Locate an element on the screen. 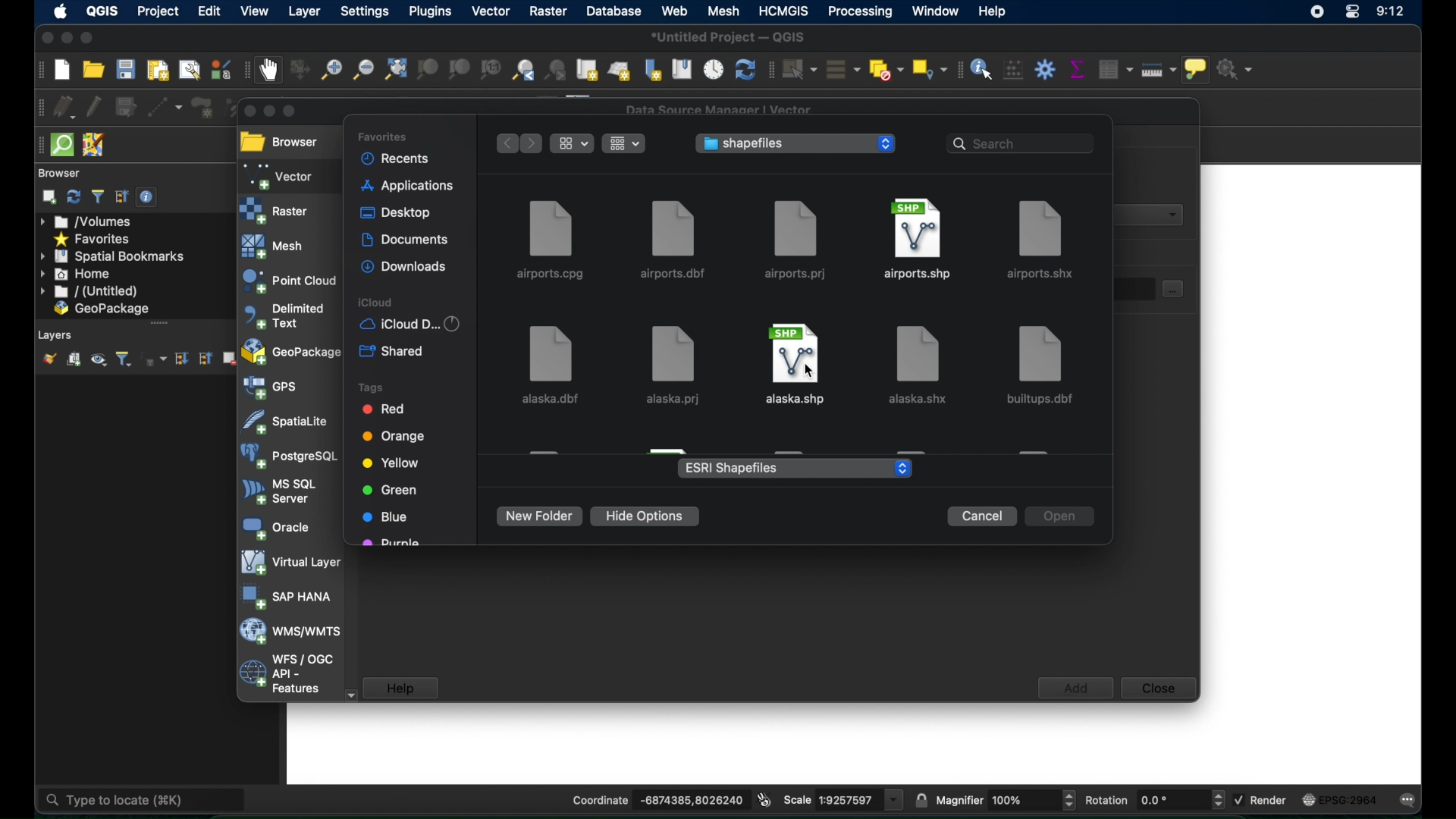 The image size is (1456, 819). recents is located at coordinates (397, 158).